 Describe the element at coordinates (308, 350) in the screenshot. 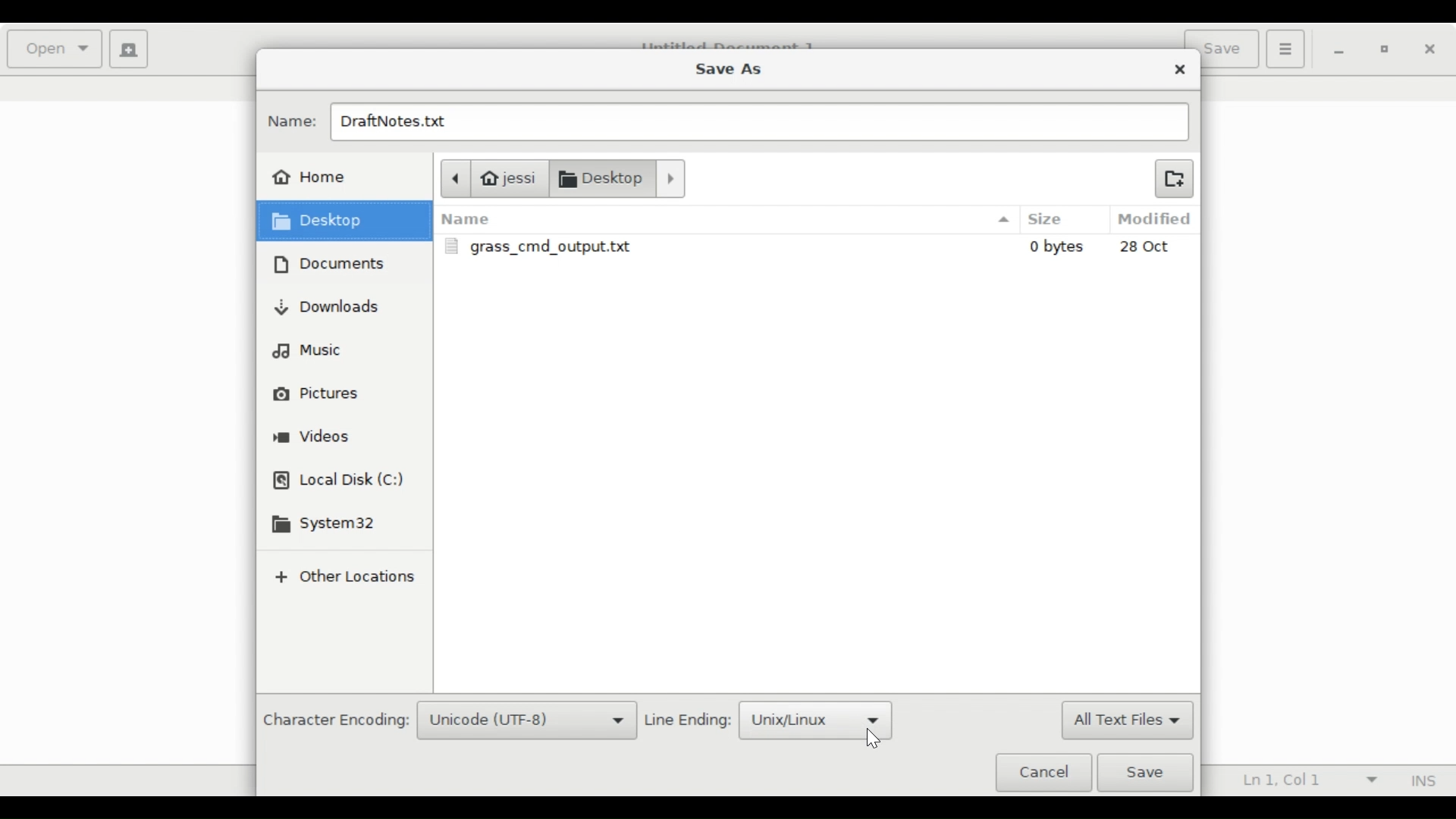

I see `Music` at that location.